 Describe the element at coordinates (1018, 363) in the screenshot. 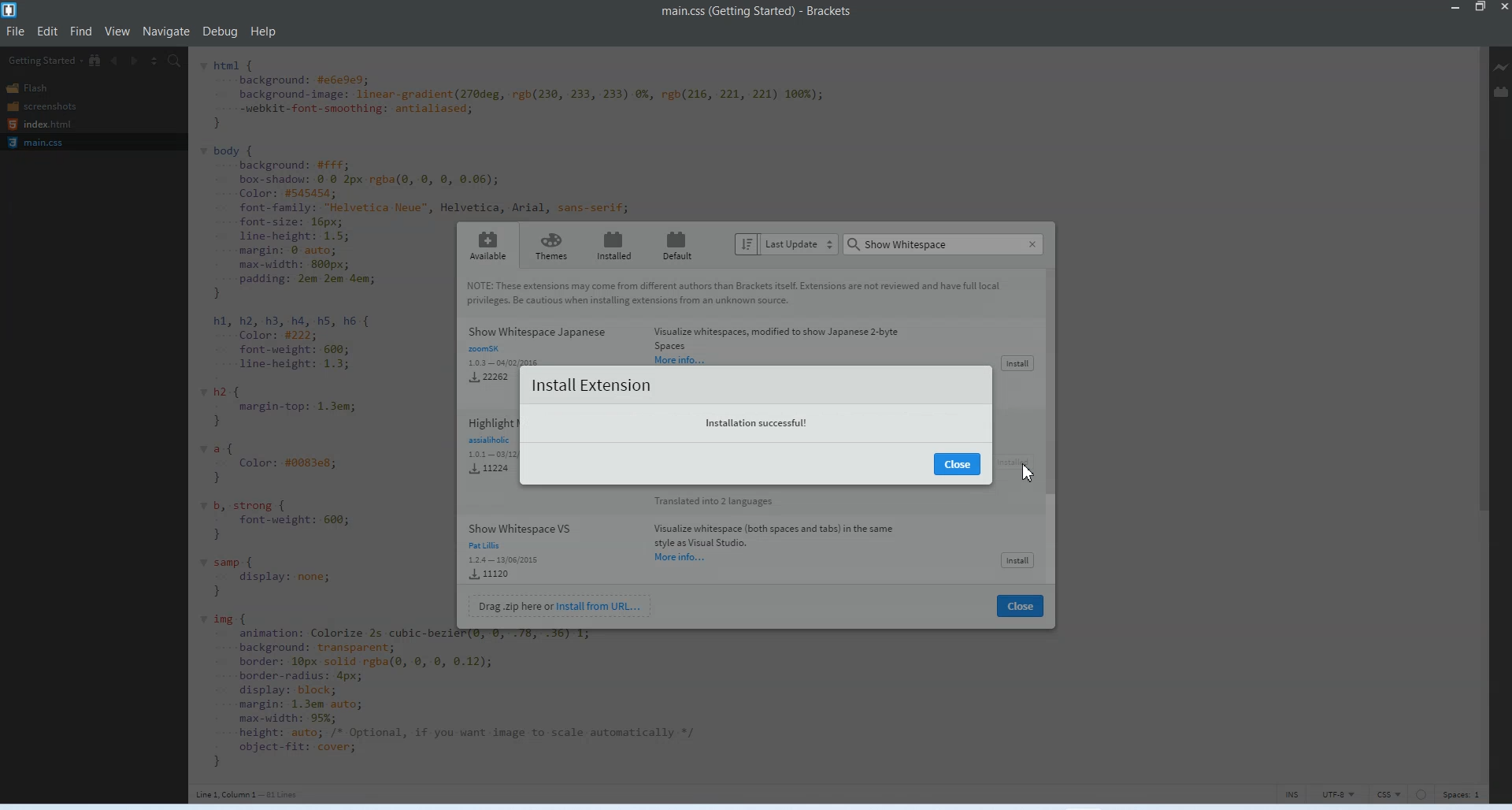

I see `Install` at that location.